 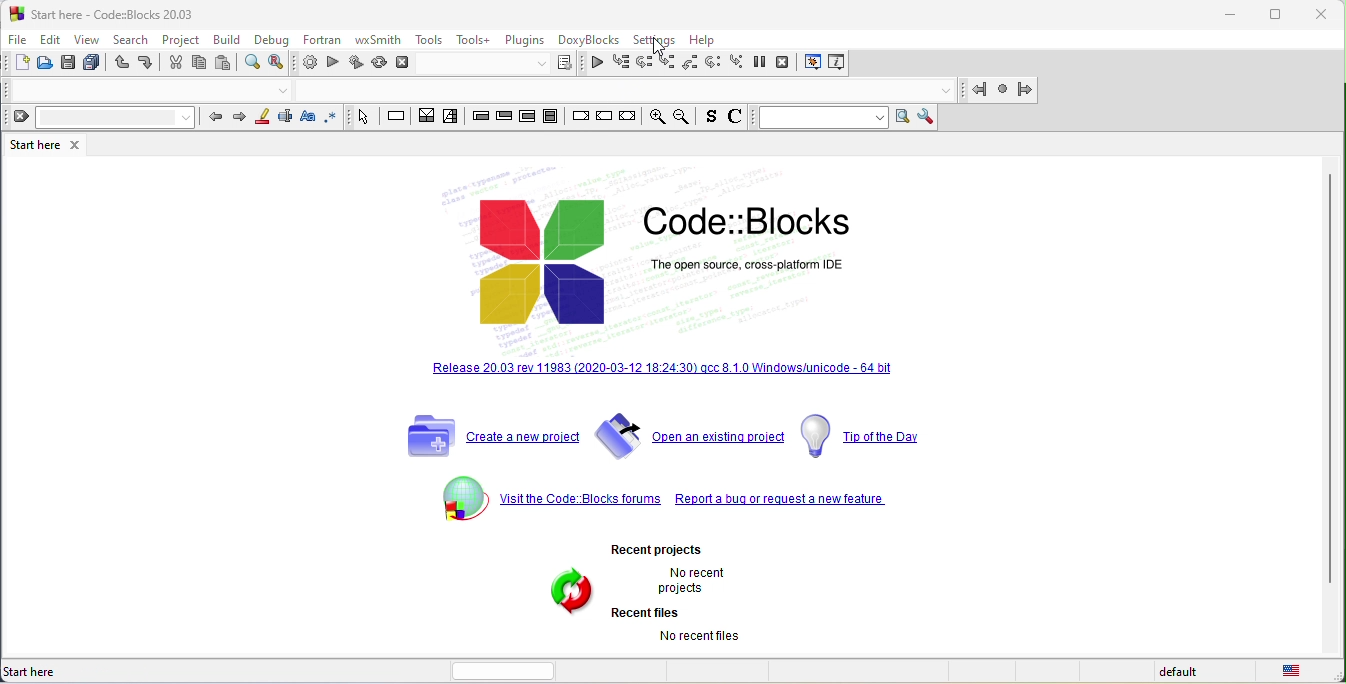 What do you see at coordinates (363, 117) in the screenshot?
I see `select` at bounding box center [363, 117].